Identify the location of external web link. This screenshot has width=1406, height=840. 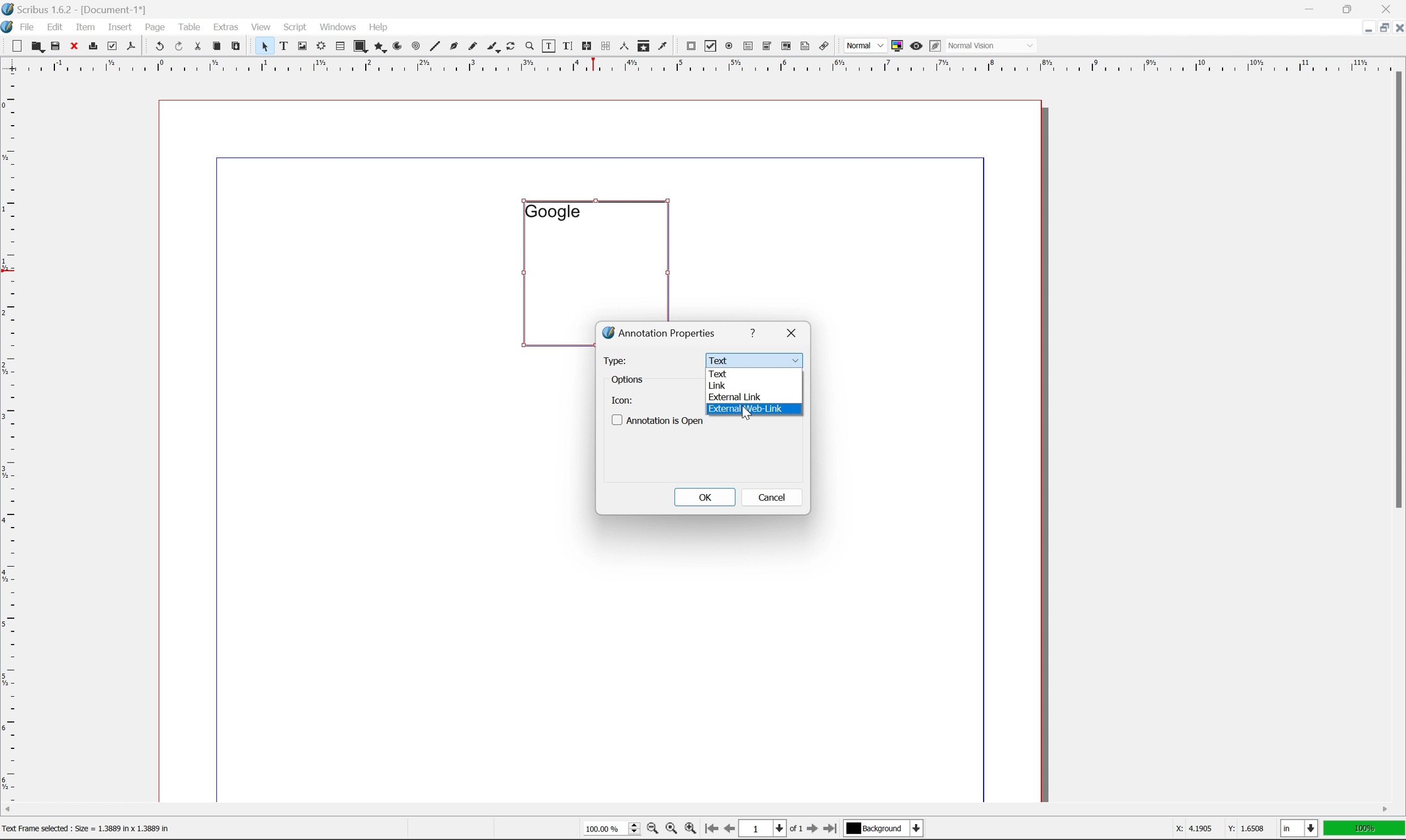
(748, 410).